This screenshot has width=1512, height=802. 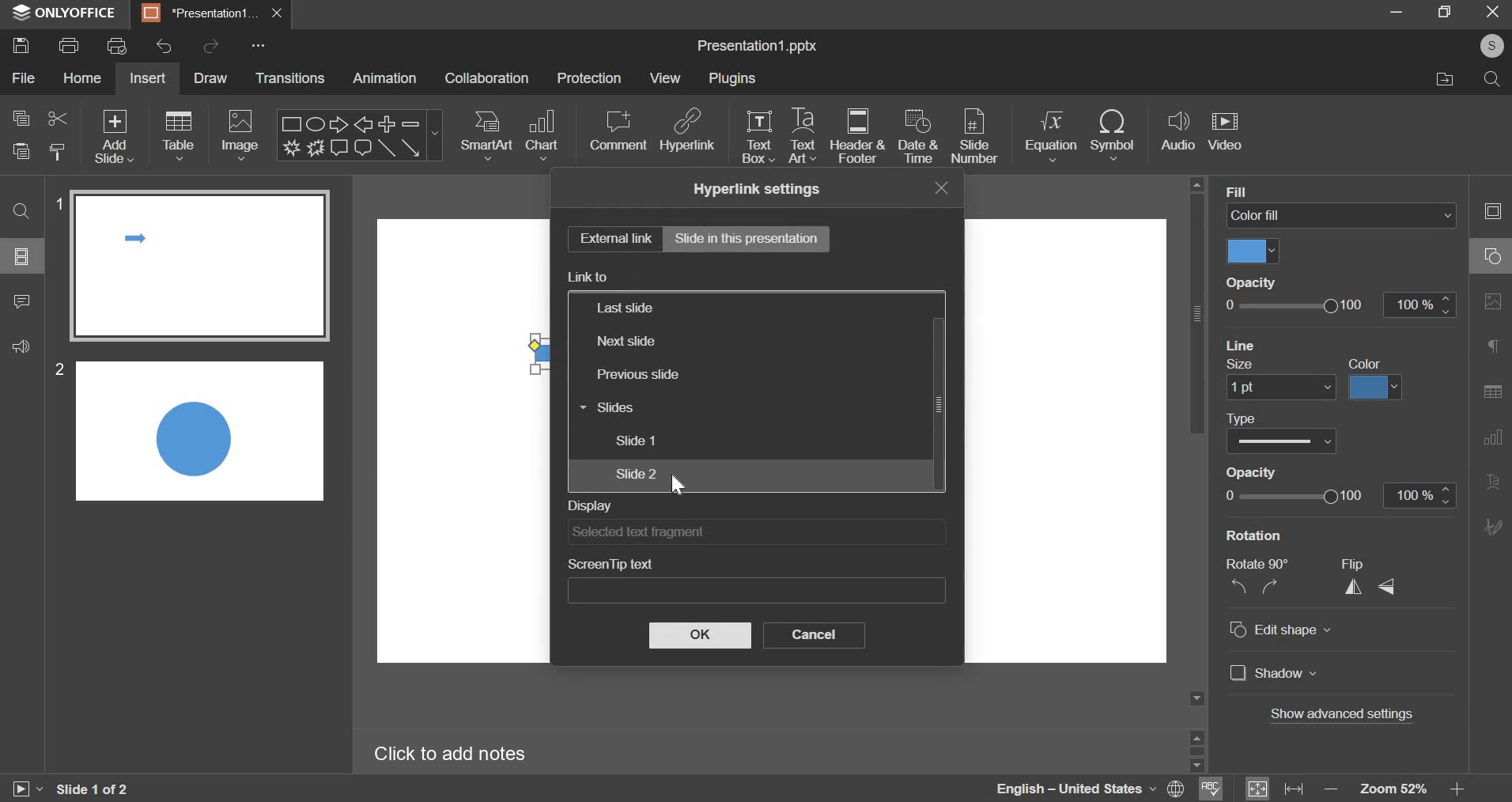 What do you see at coordinates (605, 408) in the screenshot?
I see `slides` at bounding box center [605, 408].